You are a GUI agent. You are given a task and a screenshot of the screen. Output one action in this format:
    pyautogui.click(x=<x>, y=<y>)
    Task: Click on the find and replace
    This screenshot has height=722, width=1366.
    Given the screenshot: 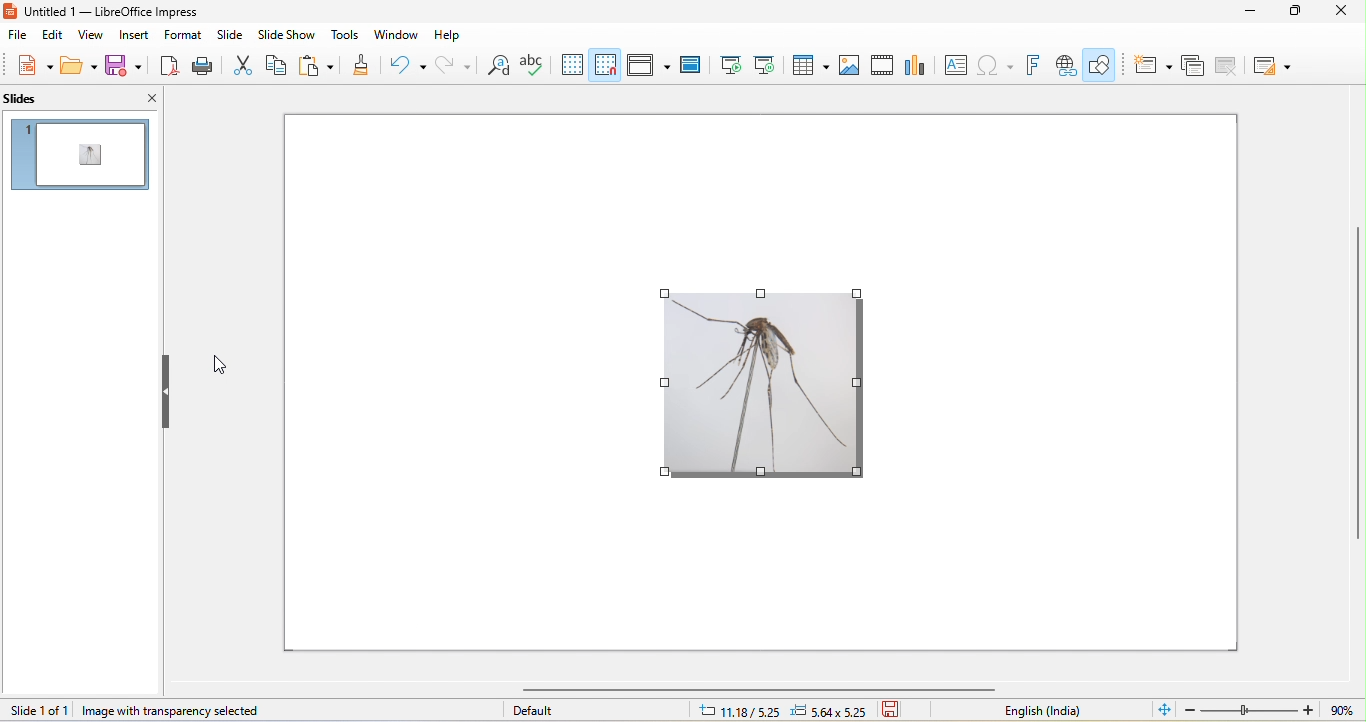 What is the action you would take?
    pyautogui.click(x=498, y=64)
    